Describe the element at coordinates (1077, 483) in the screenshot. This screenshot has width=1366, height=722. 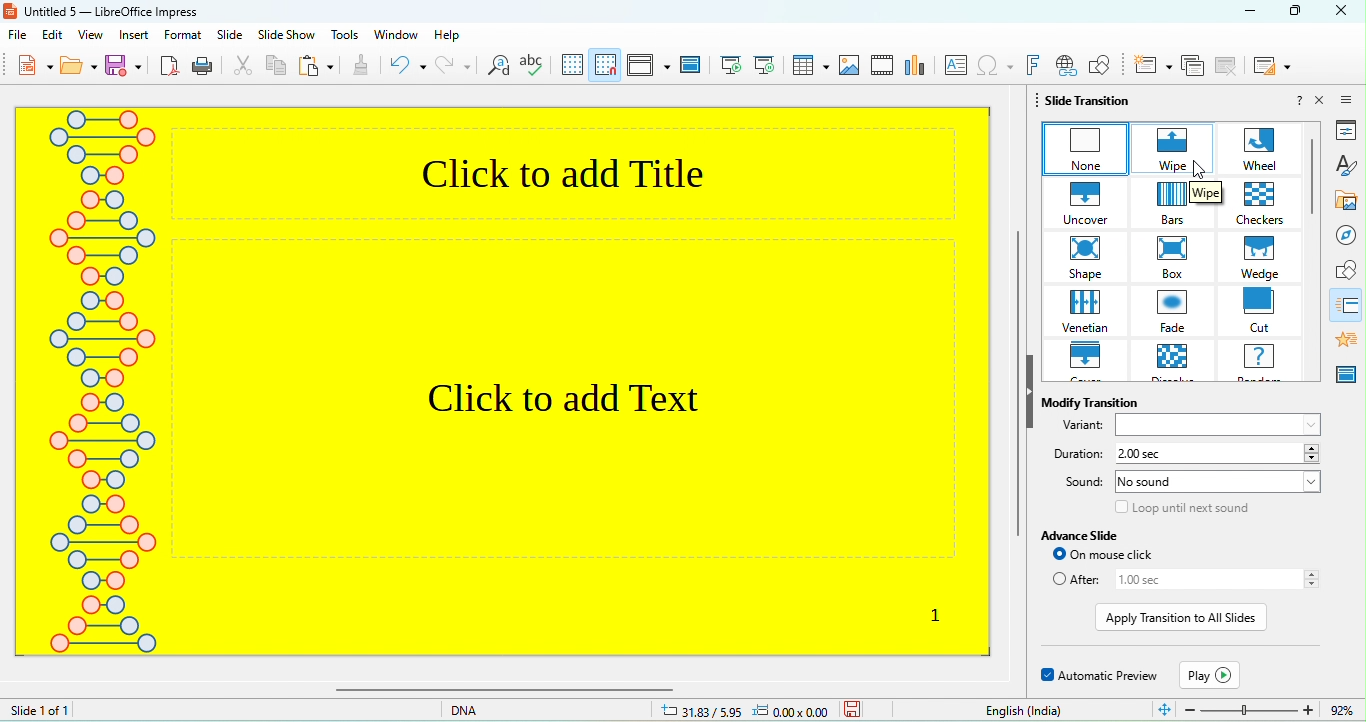
I see `sound` at that location.